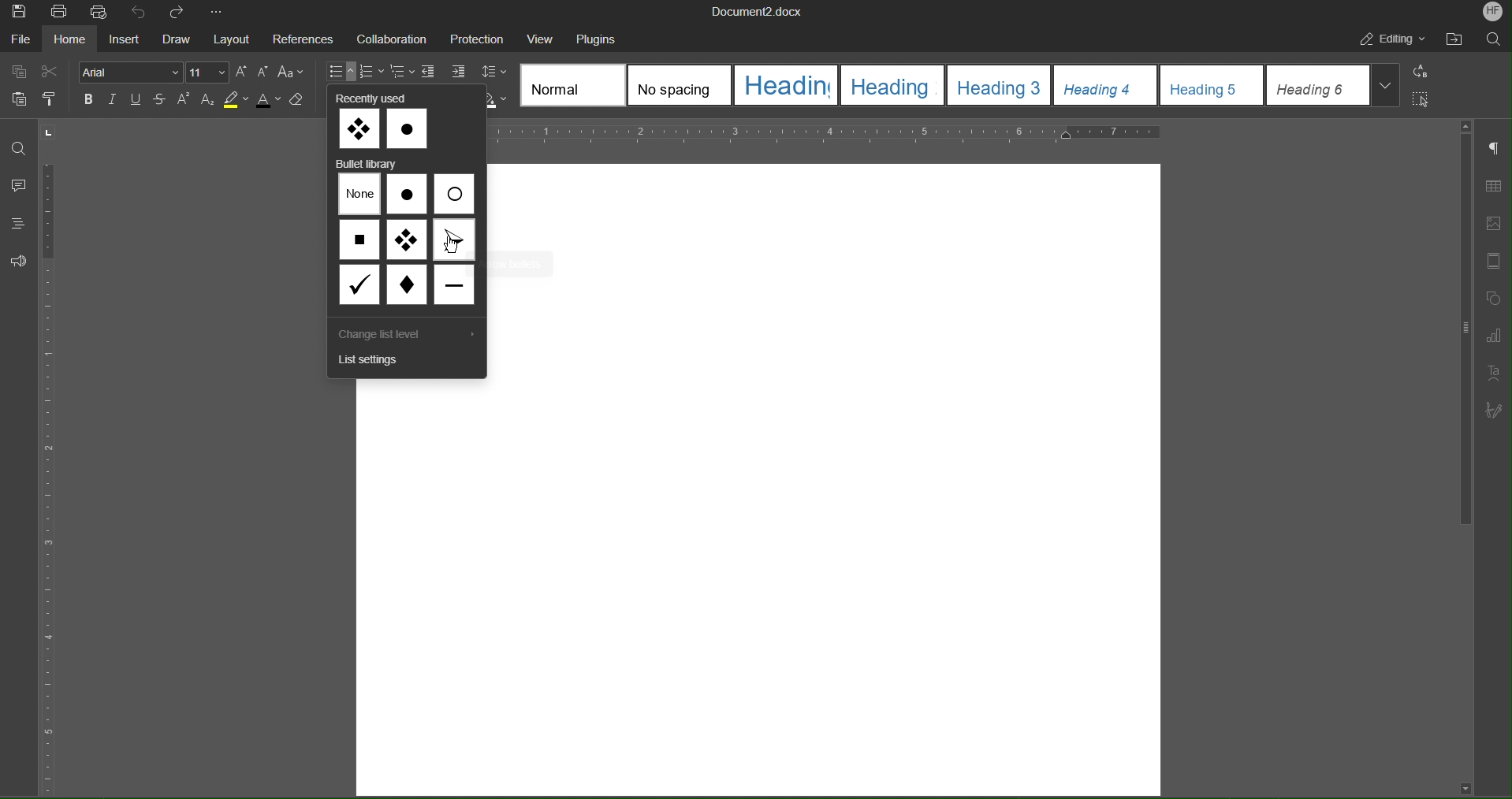 This screenshot has width=1512, height=799. I want to click on Superscript, so click(187, 99).